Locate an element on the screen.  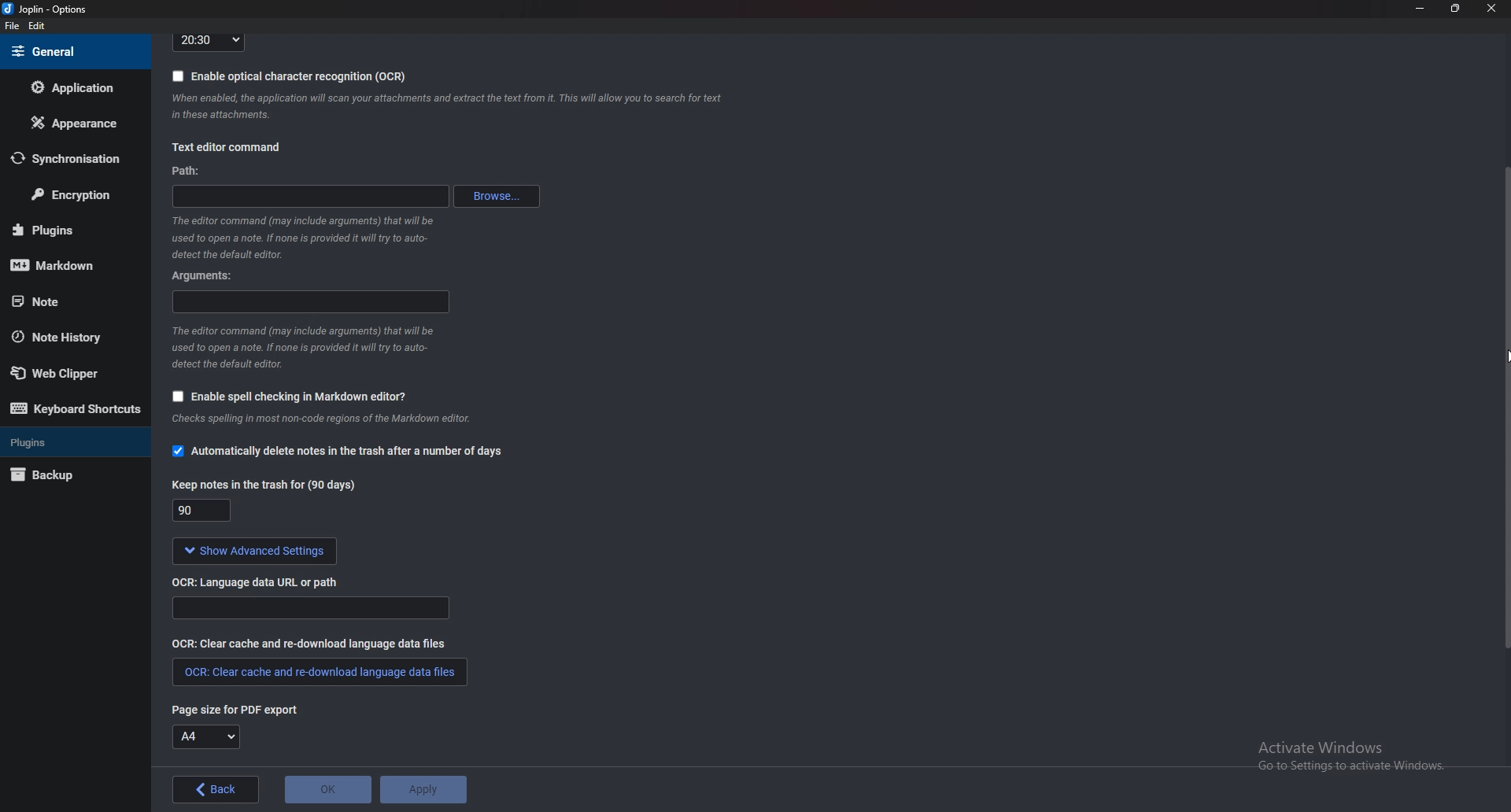
Edit is located at coordinates (36, 27).